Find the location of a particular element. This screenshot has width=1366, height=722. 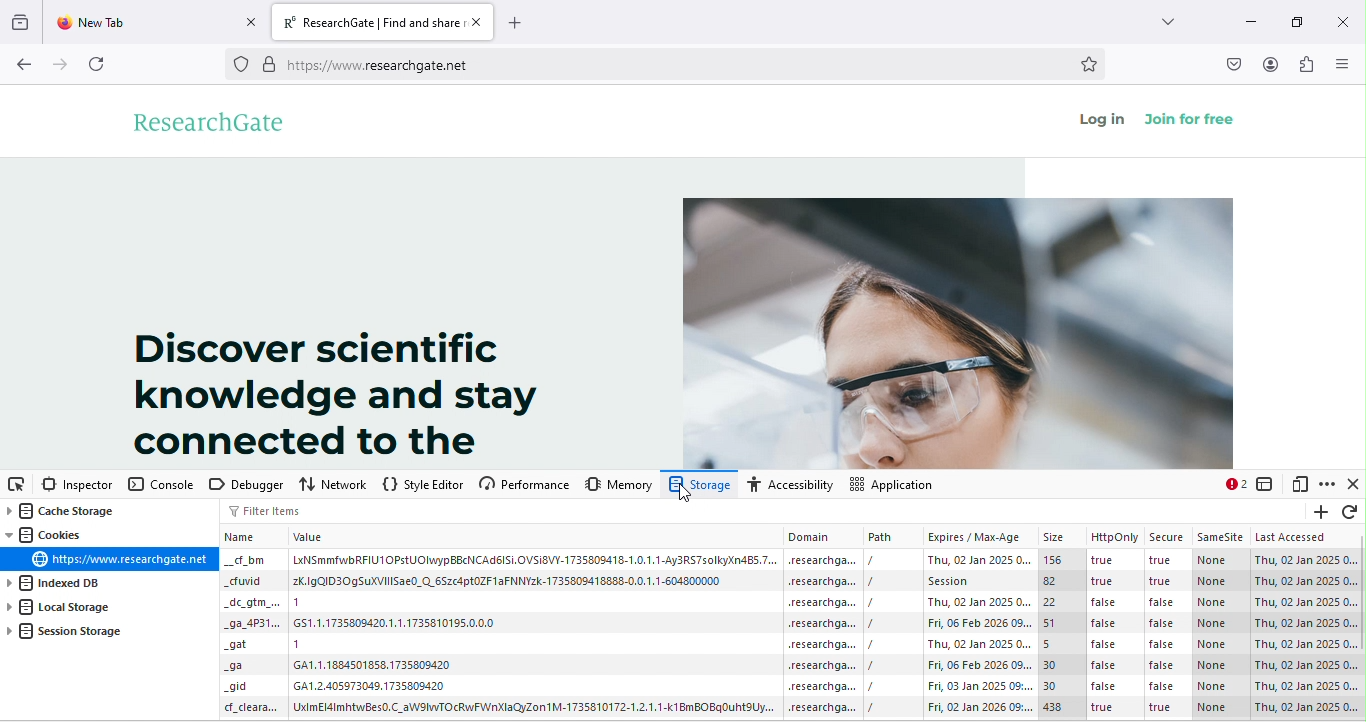

domain is located at coordinates (821, 623).